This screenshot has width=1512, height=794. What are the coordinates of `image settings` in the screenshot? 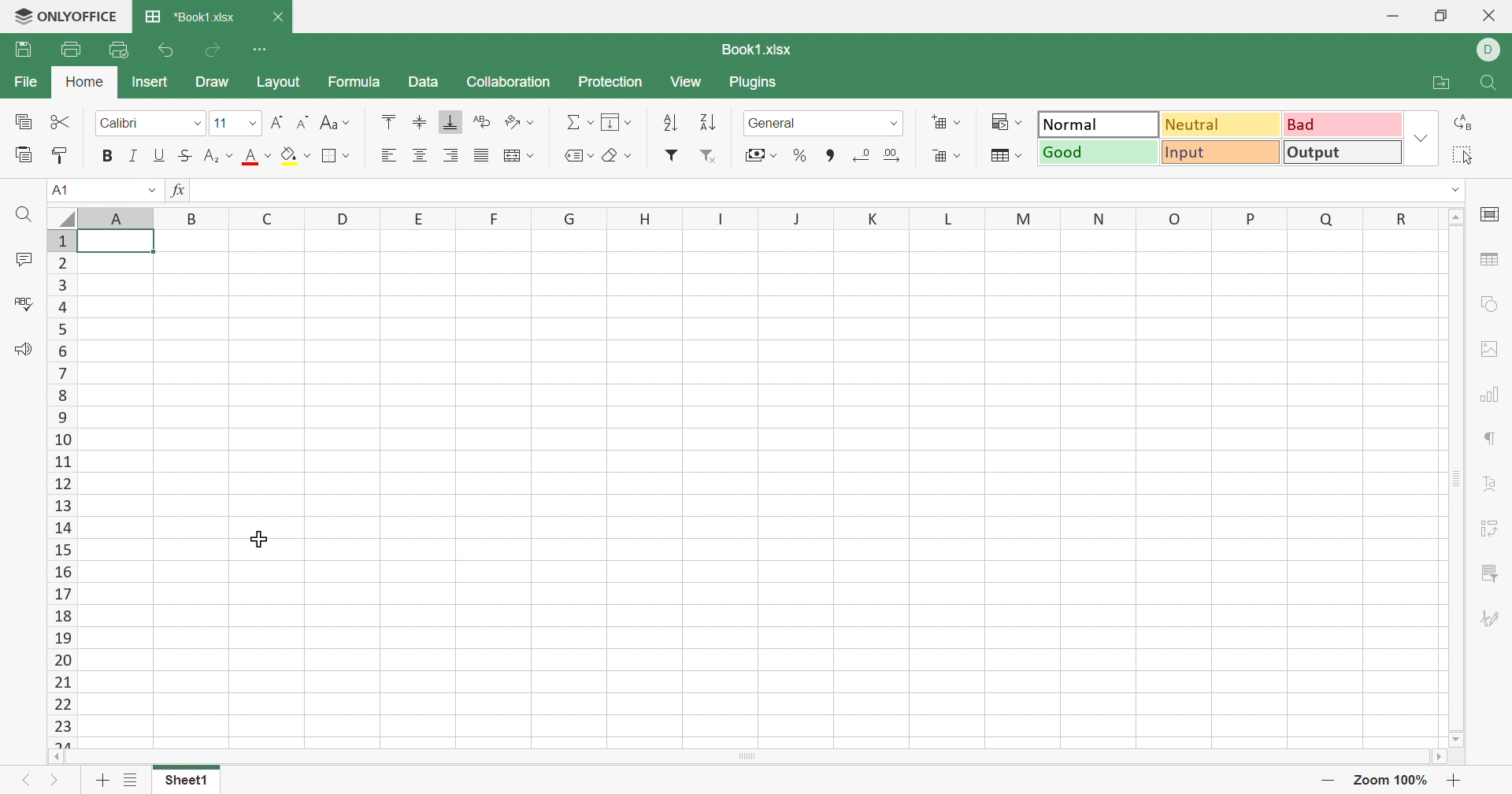 It's located at (1494, 347).